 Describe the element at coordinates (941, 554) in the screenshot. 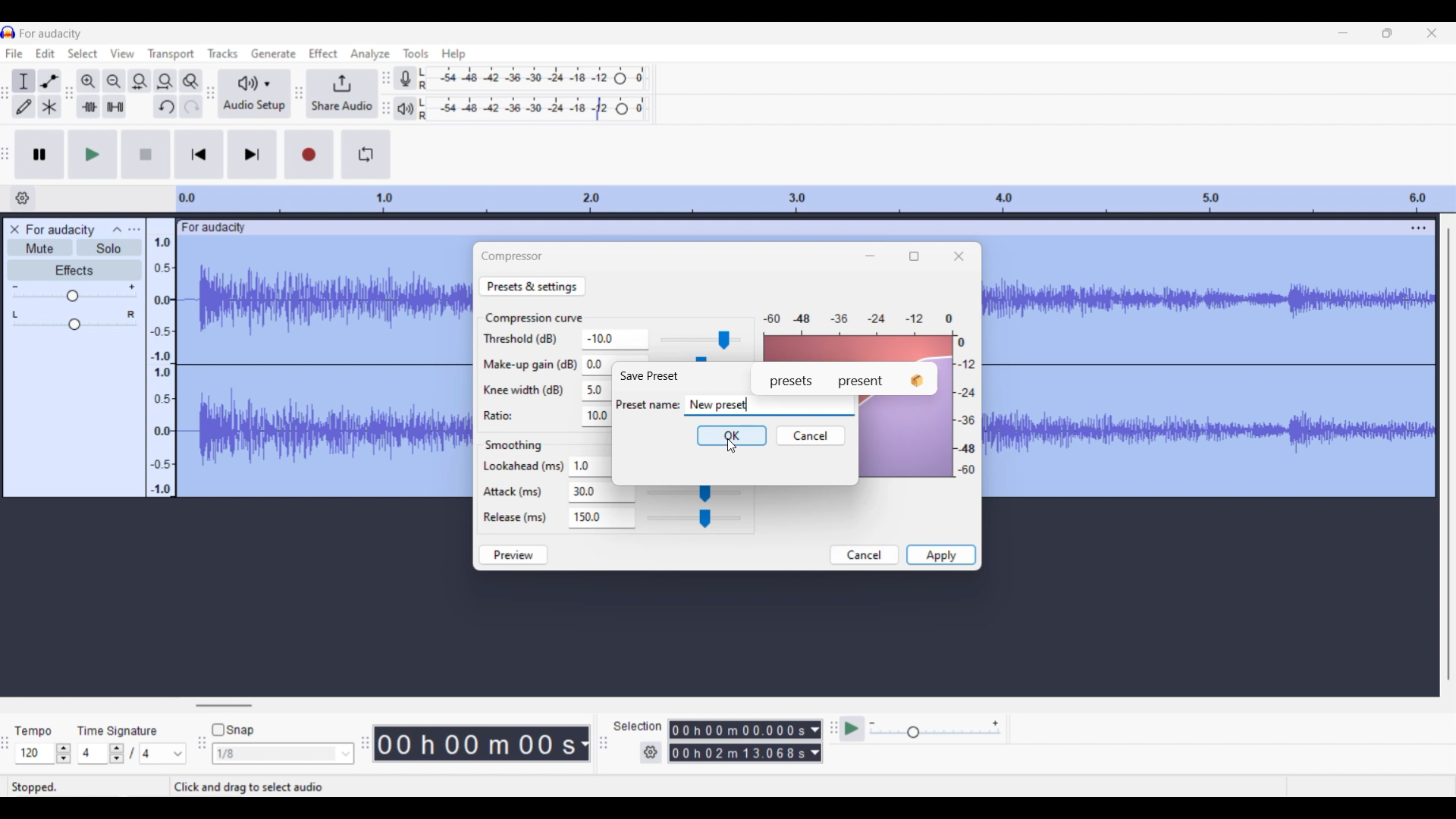

I see `Apply` at that location.